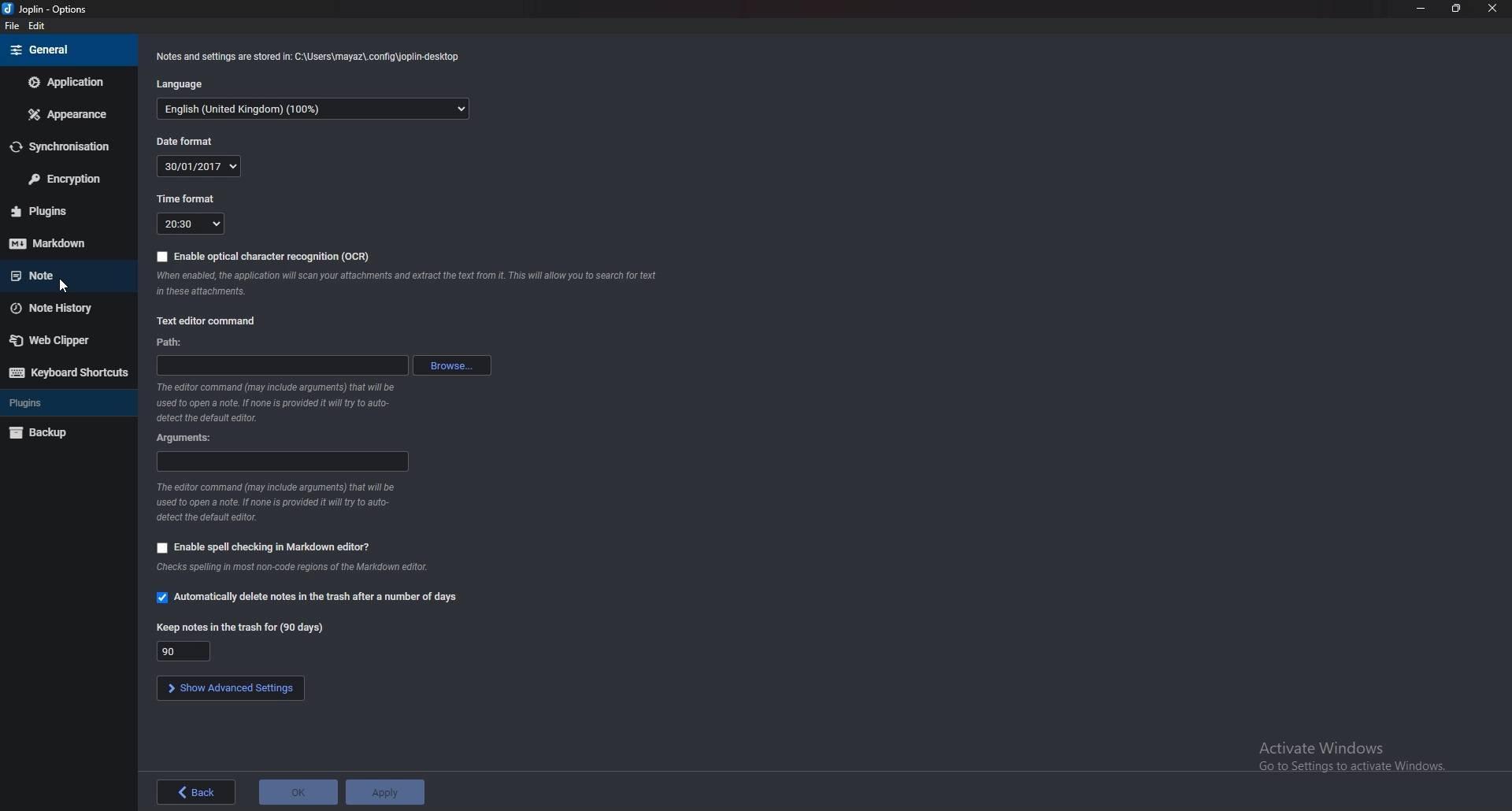  I want to click on Info, so click(290, 568).